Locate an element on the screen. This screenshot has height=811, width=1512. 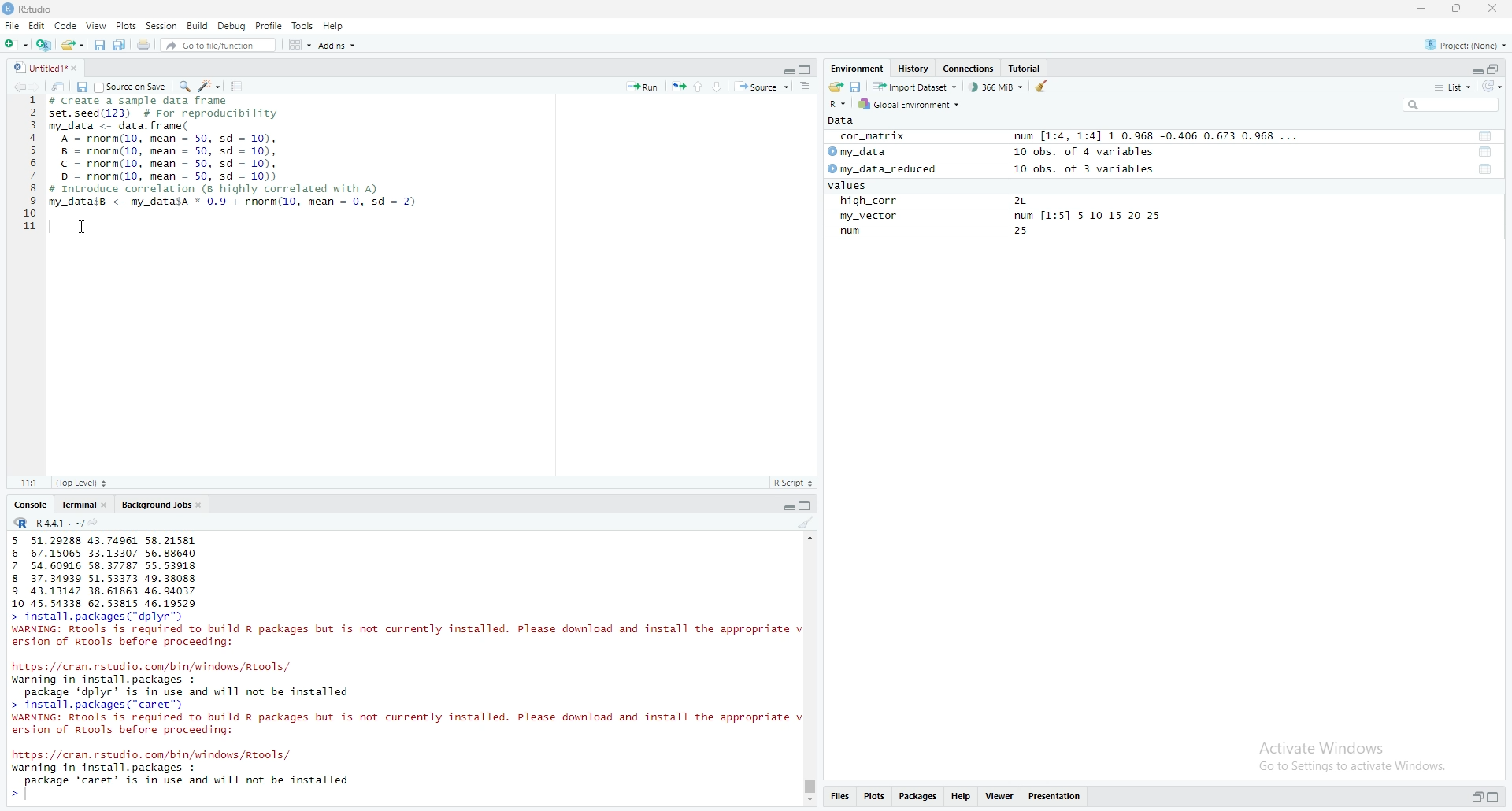
share is located at coordinates (60, 87).